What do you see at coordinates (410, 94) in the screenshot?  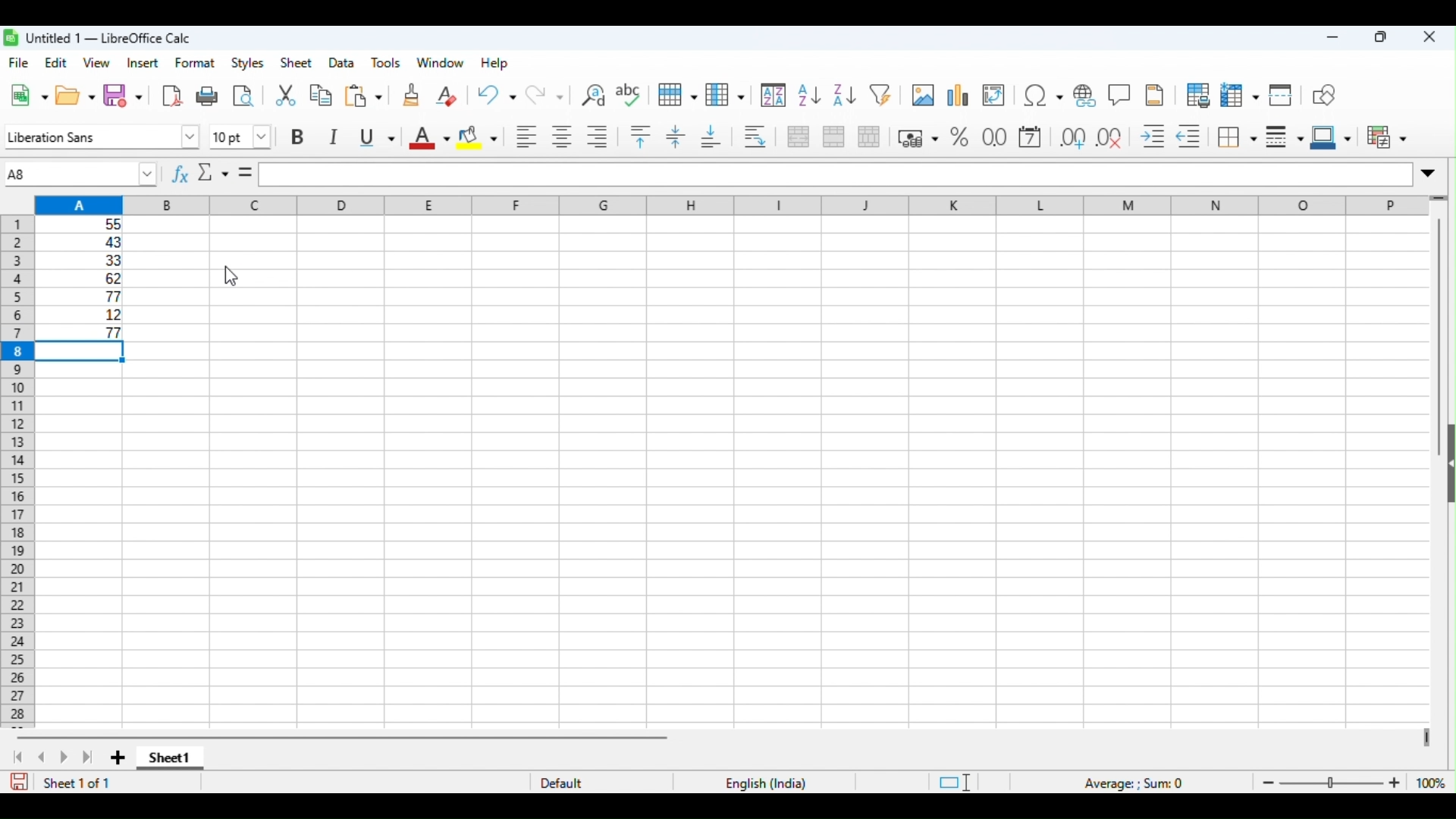 I see `clone` at bounding box center [410, 94].